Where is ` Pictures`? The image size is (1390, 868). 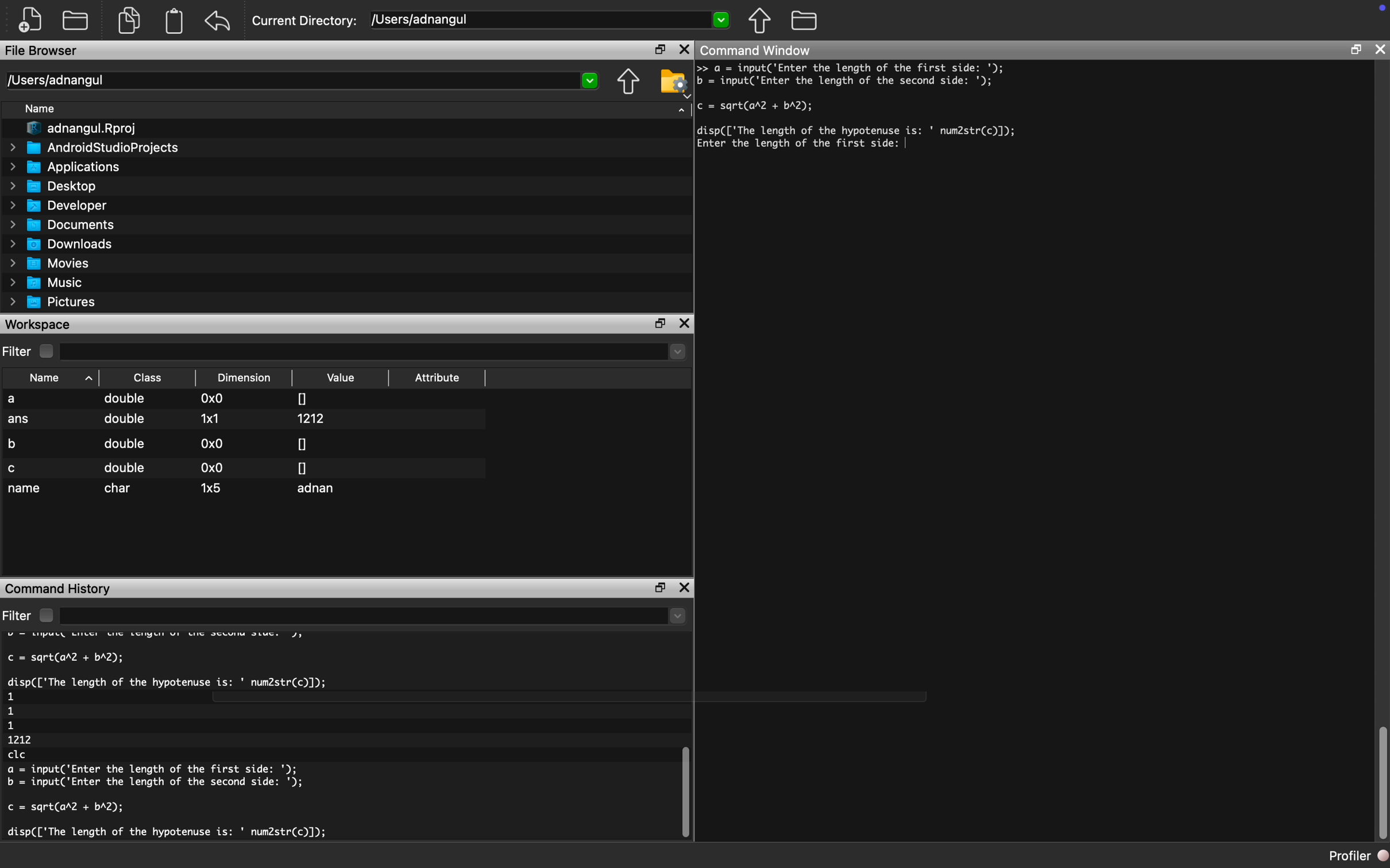
 Pictures is located at coordinates (57, 302).